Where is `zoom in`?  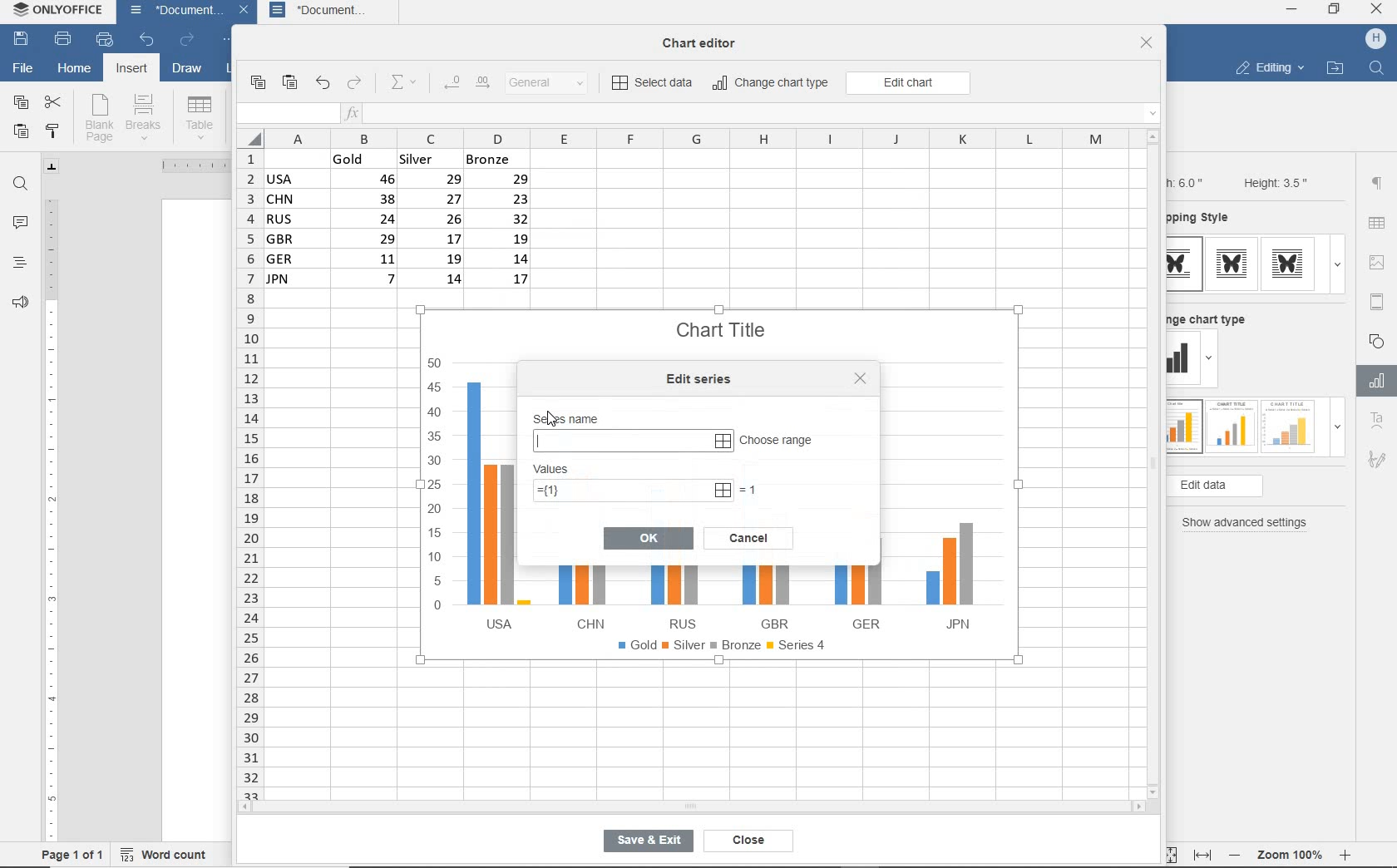
zoom in is located at coordinates (1346, 852).